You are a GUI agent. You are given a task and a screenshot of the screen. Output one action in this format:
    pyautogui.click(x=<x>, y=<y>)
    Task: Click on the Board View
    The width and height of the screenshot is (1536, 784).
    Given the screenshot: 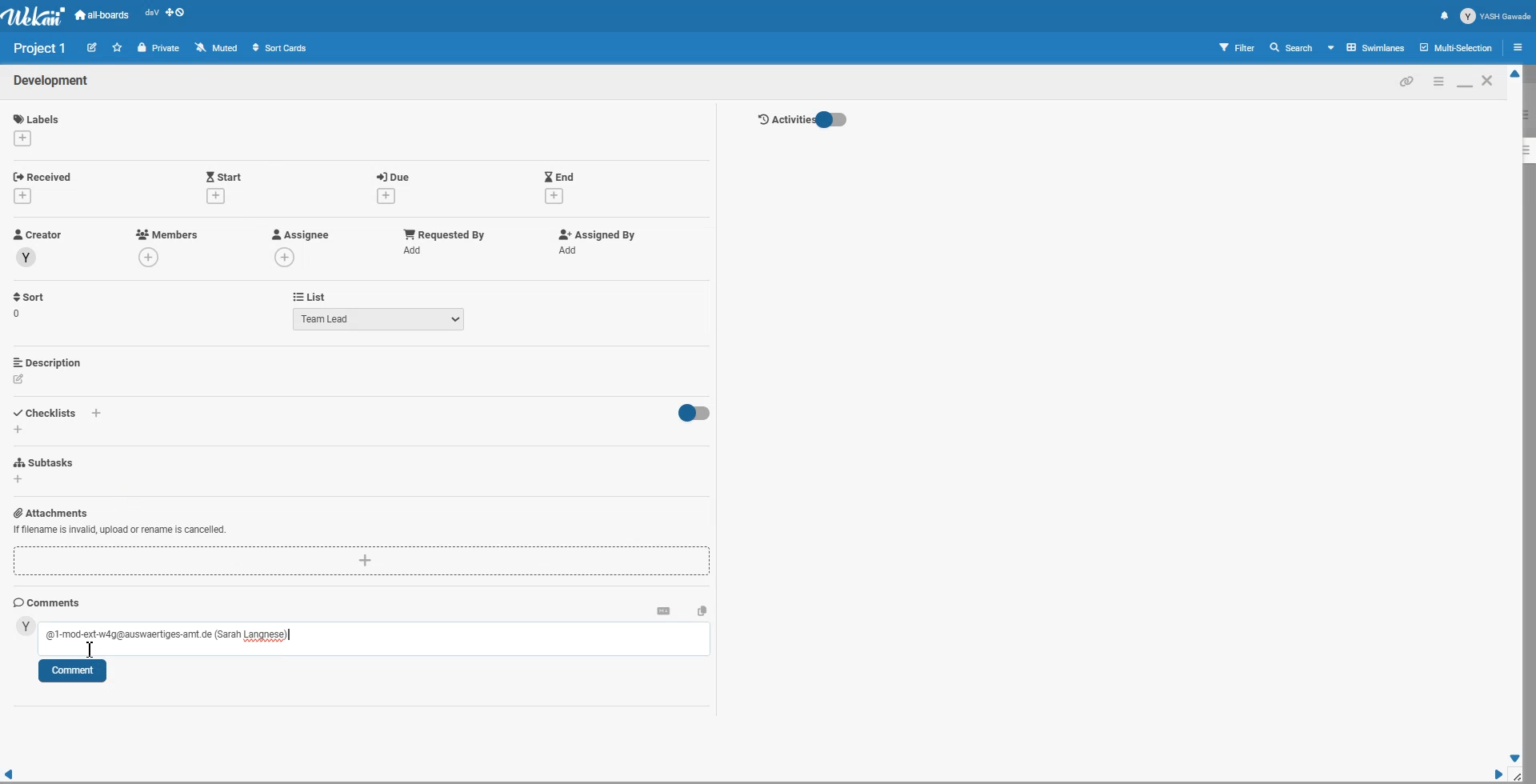 What is the action you would take?
    pyautogui.click(x=1367, y=47)
    